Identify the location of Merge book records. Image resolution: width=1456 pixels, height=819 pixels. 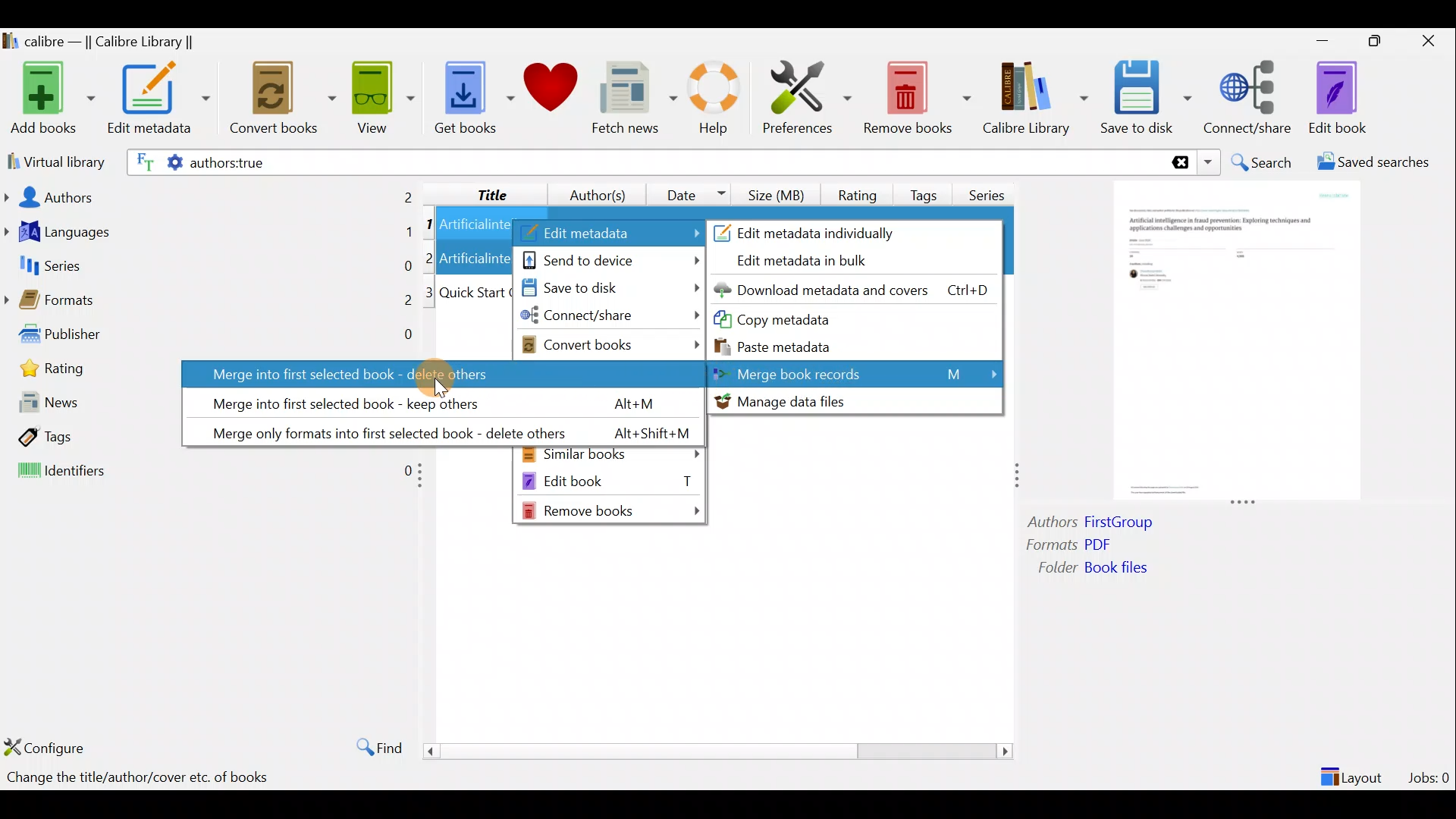
(857, 373).